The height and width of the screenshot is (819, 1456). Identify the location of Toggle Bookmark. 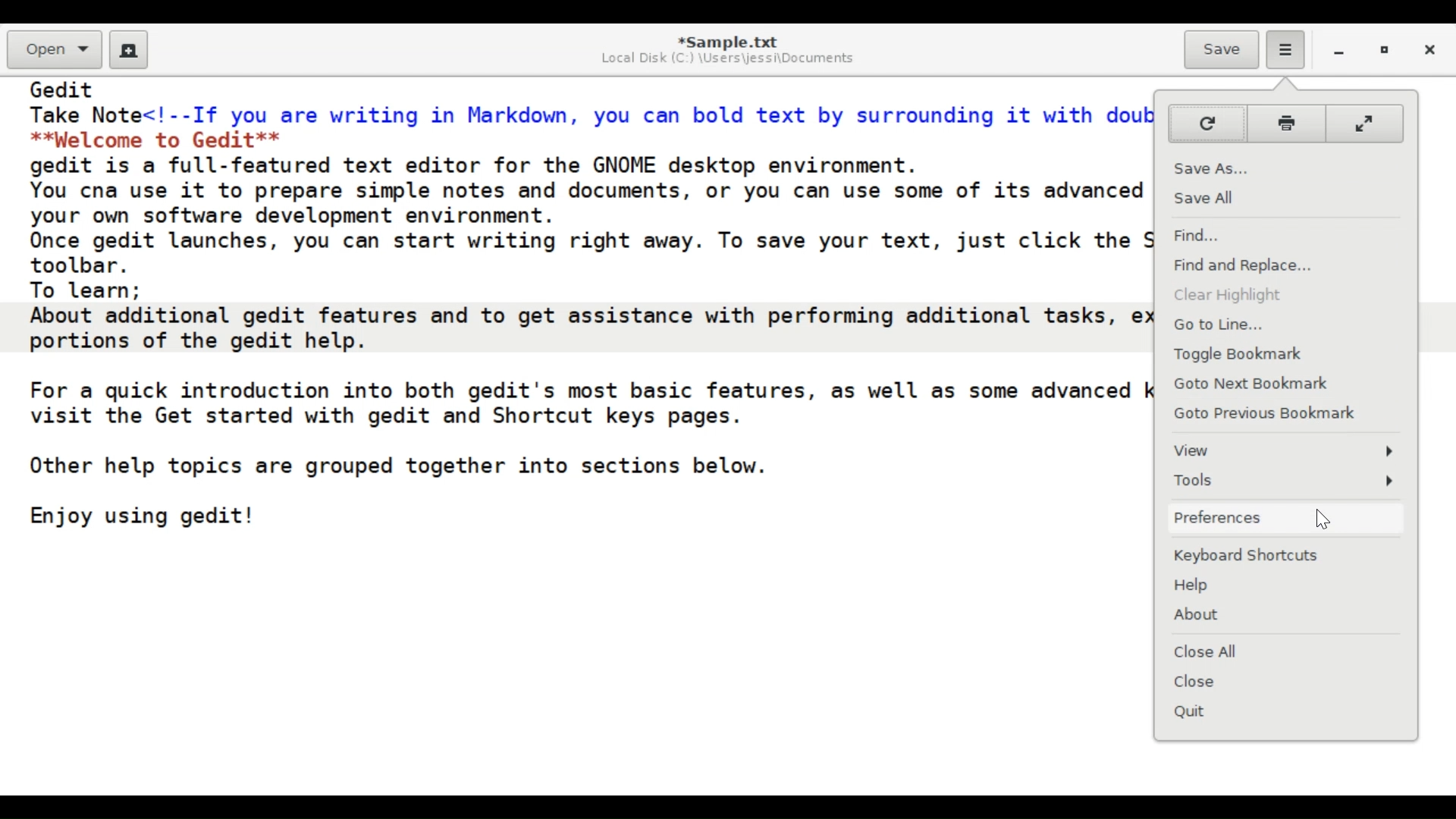
(1285, 355).